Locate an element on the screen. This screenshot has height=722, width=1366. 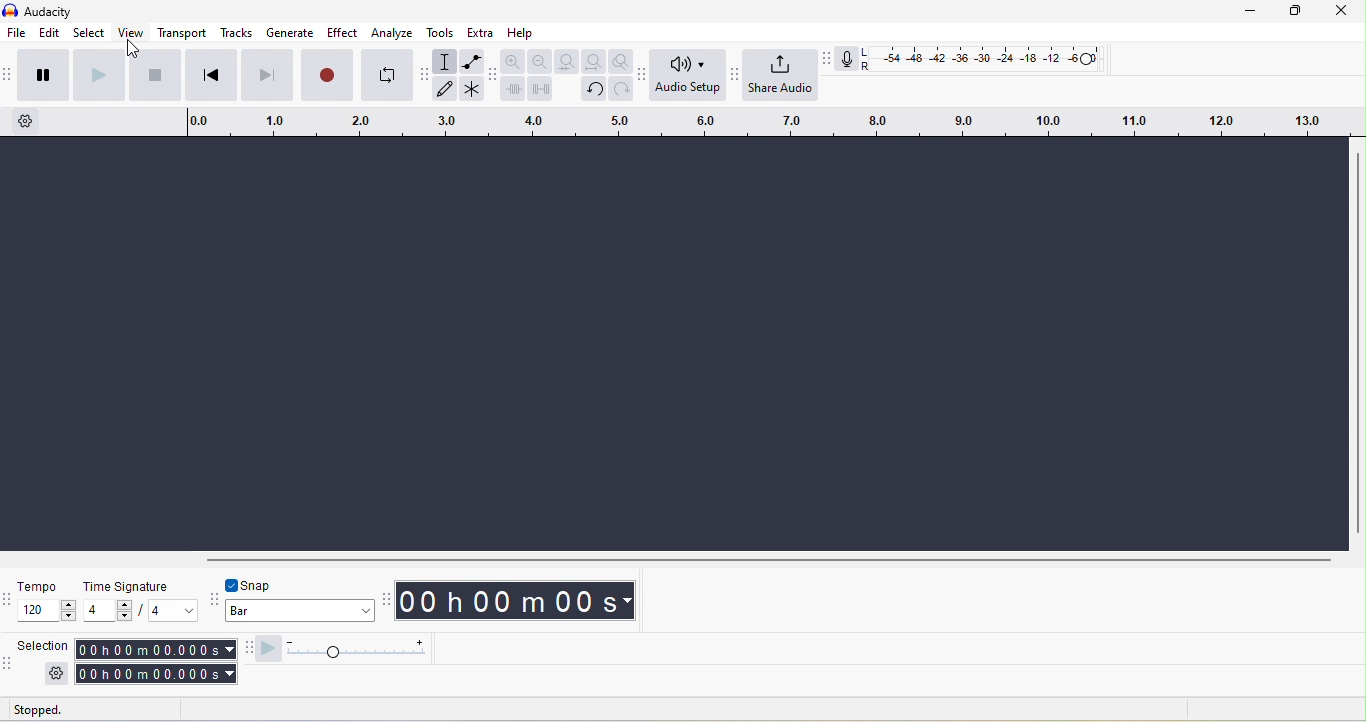
edit is located at coordinates (50, 33).